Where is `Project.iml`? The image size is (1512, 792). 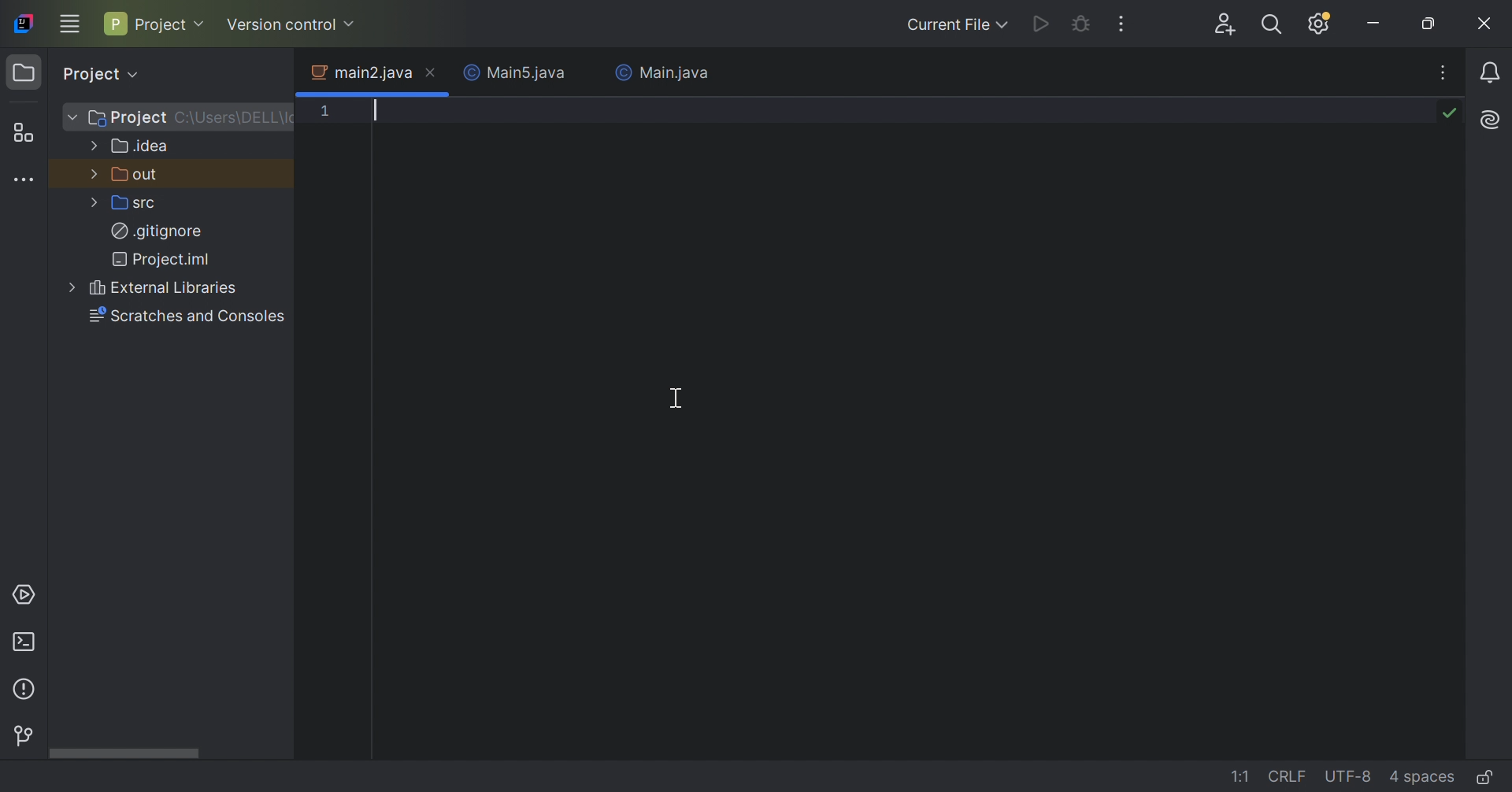
Project.iml is located at coordinates (163, 257).